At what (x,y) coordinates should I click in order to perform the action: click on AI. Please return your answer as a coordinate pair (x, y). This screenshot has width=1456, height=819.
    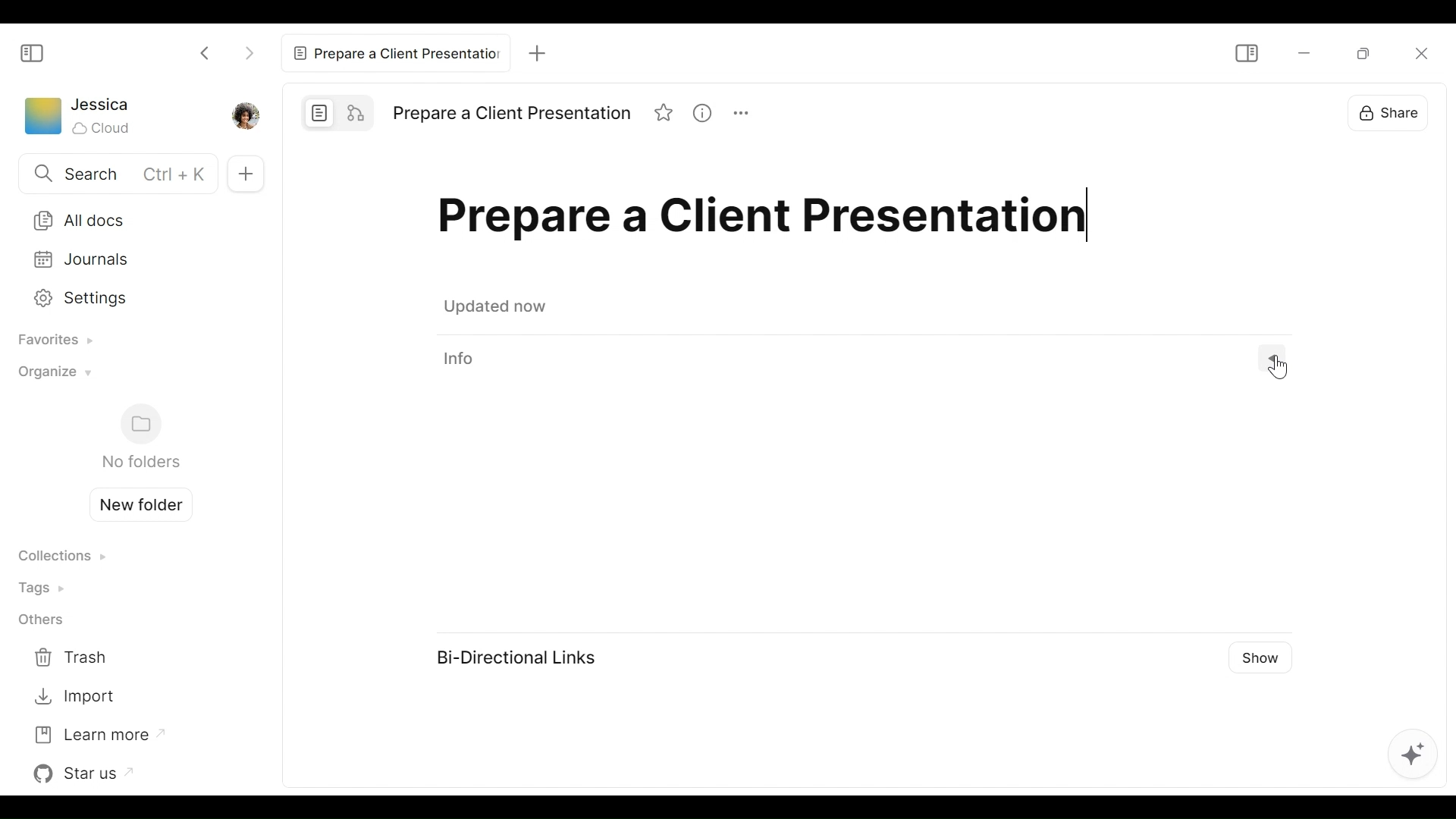
    Looking at the image, I should click on (1410, 758).